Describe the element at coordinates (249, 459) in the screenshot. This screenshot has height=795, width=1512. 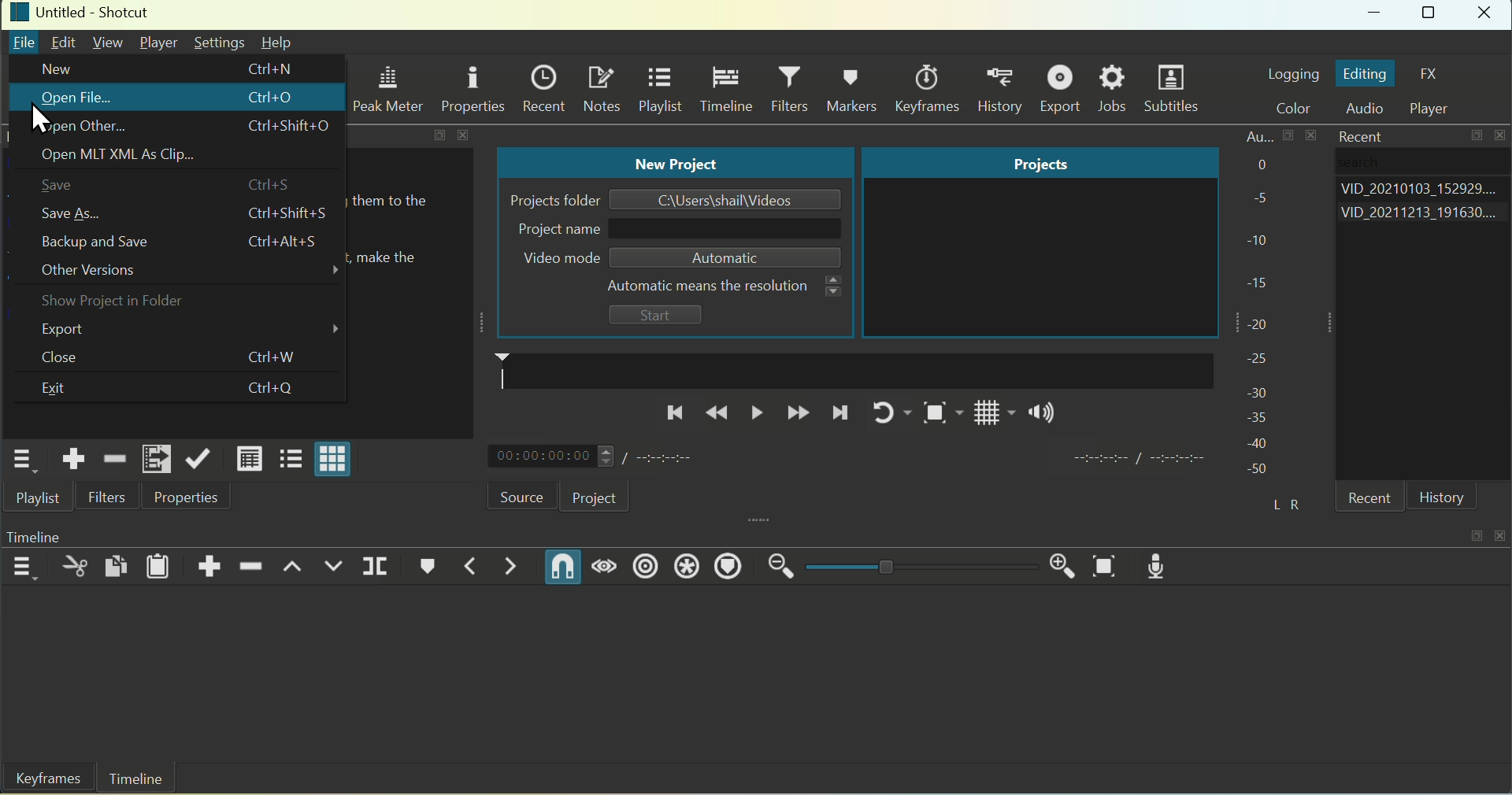
I see `View as details` at that location.